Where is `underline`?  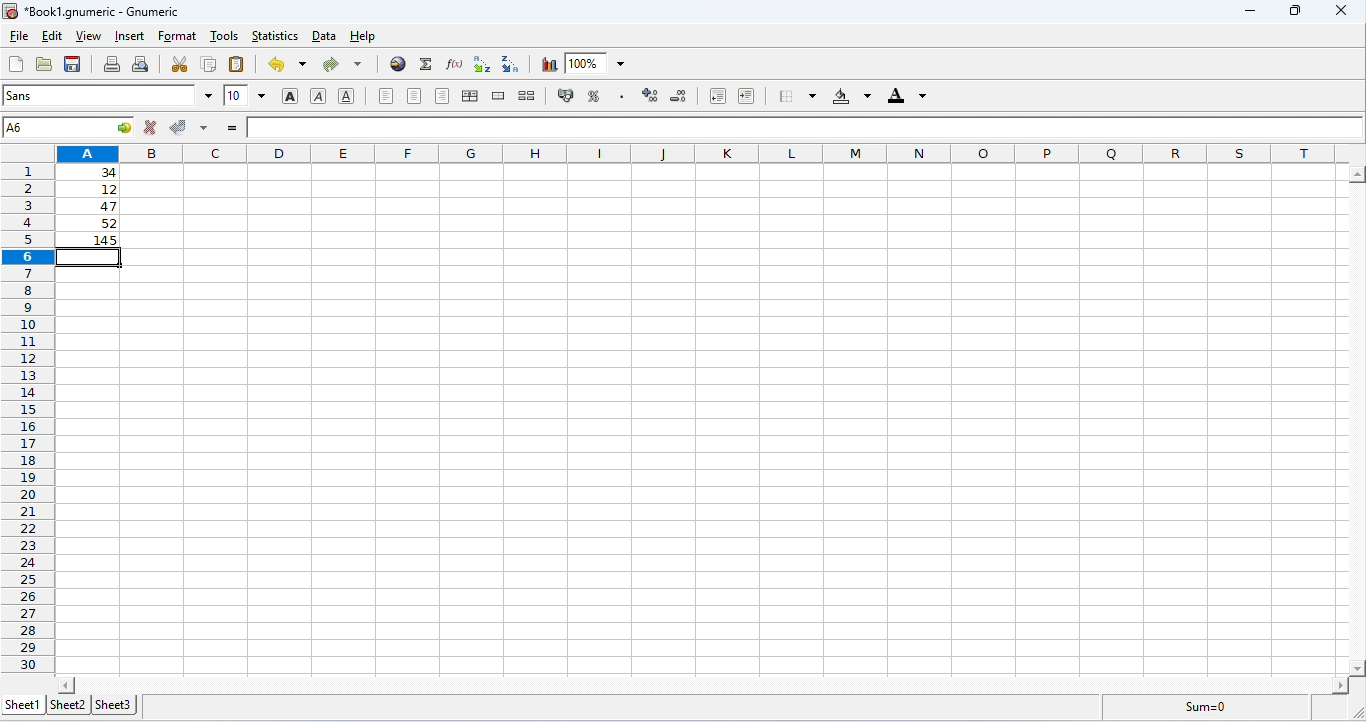 underline is located at coordinates (346, 95).